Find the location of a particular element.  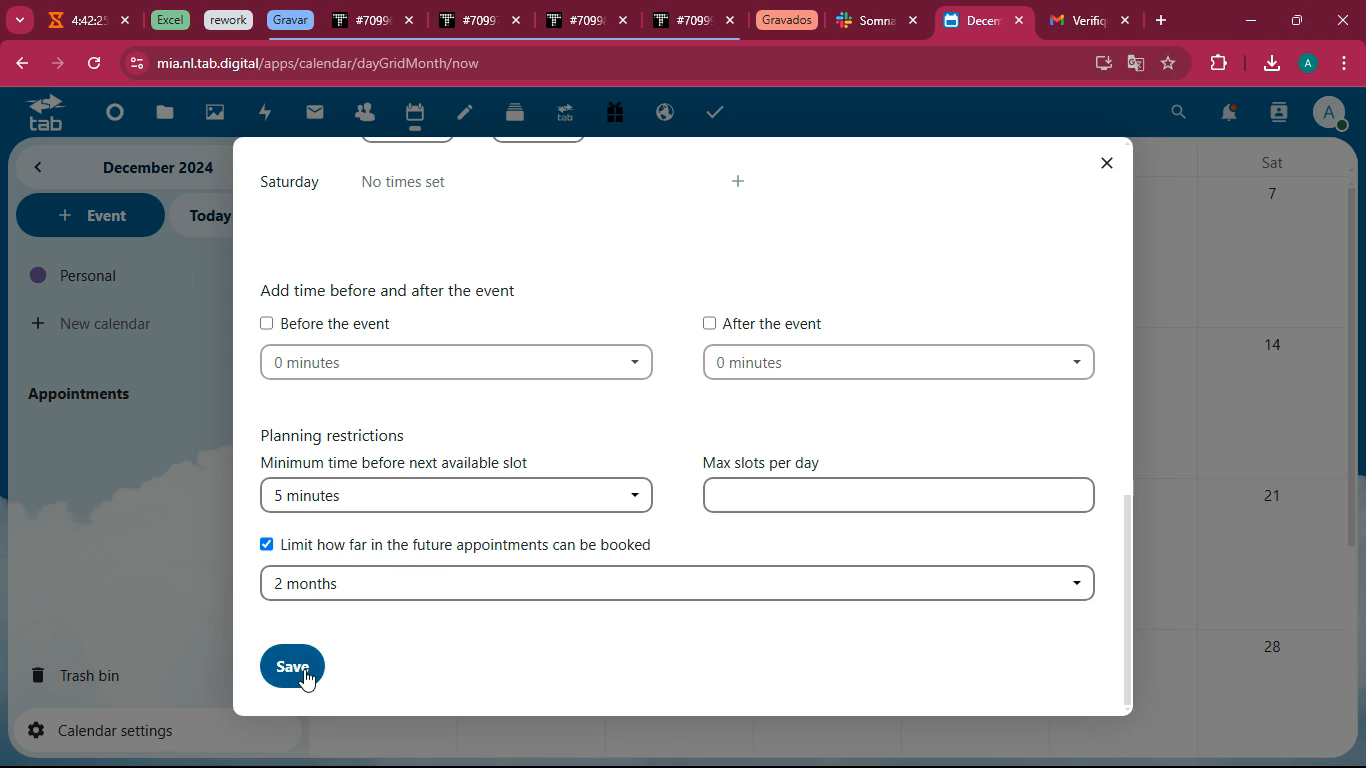

tab is located at coordinates (466, 22).